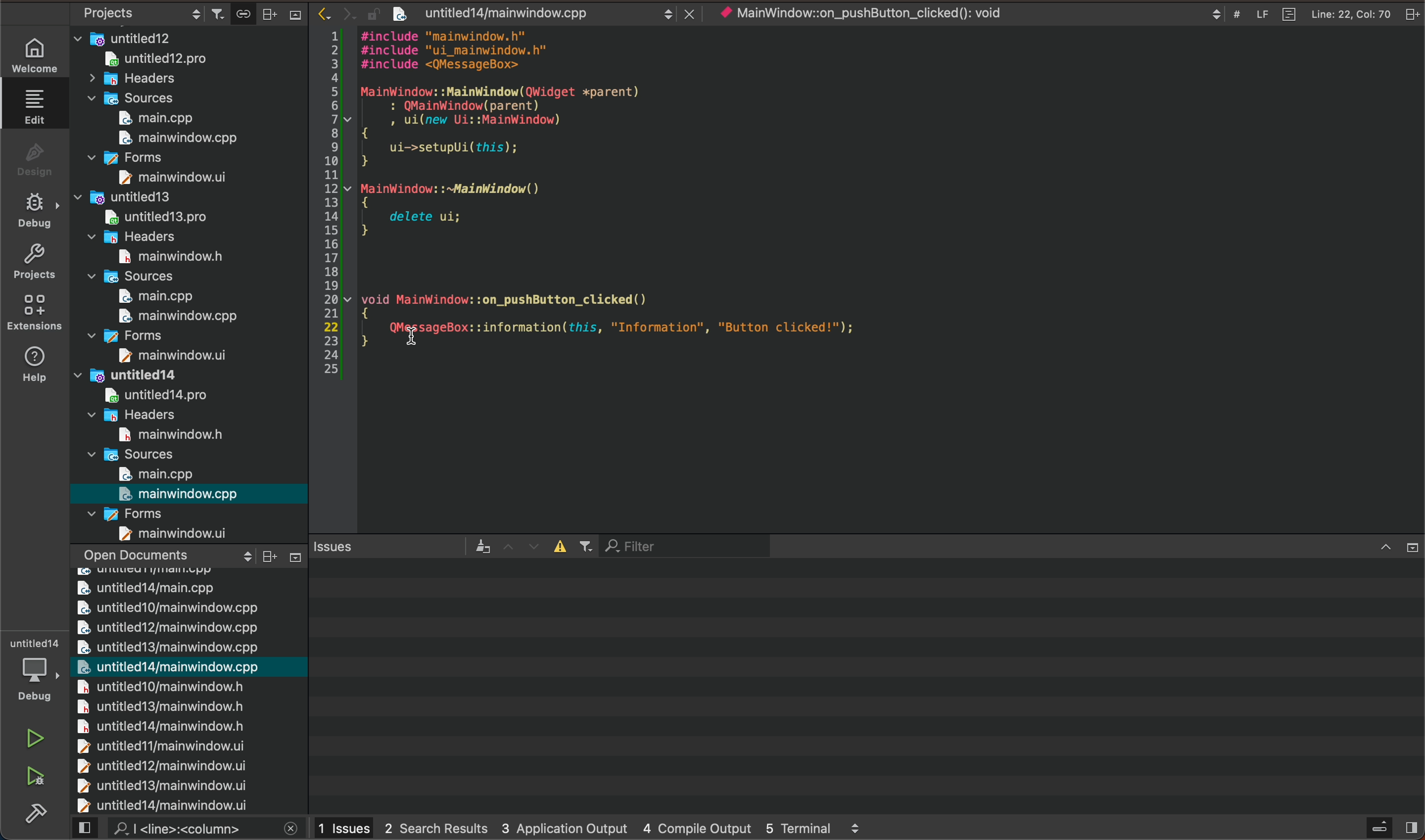 The width and height of the screenshot is (1425, 840). Describe the element at coordinates (166, 357) in the screenshot. I see `main window` at that location.